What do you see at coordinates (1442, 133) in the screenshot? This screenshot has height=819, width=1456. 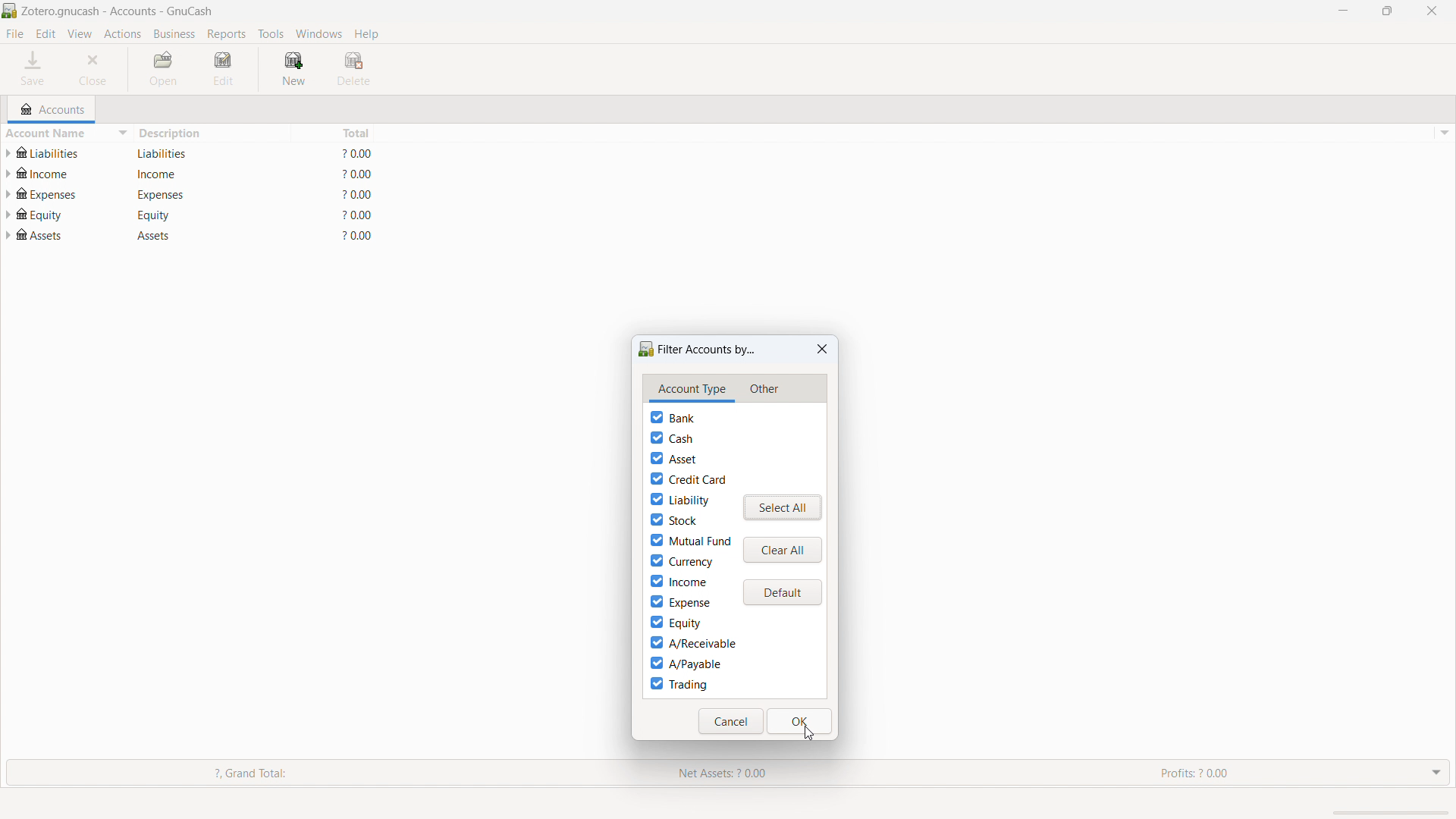 I see `options` at bounding box center [1442, 133].